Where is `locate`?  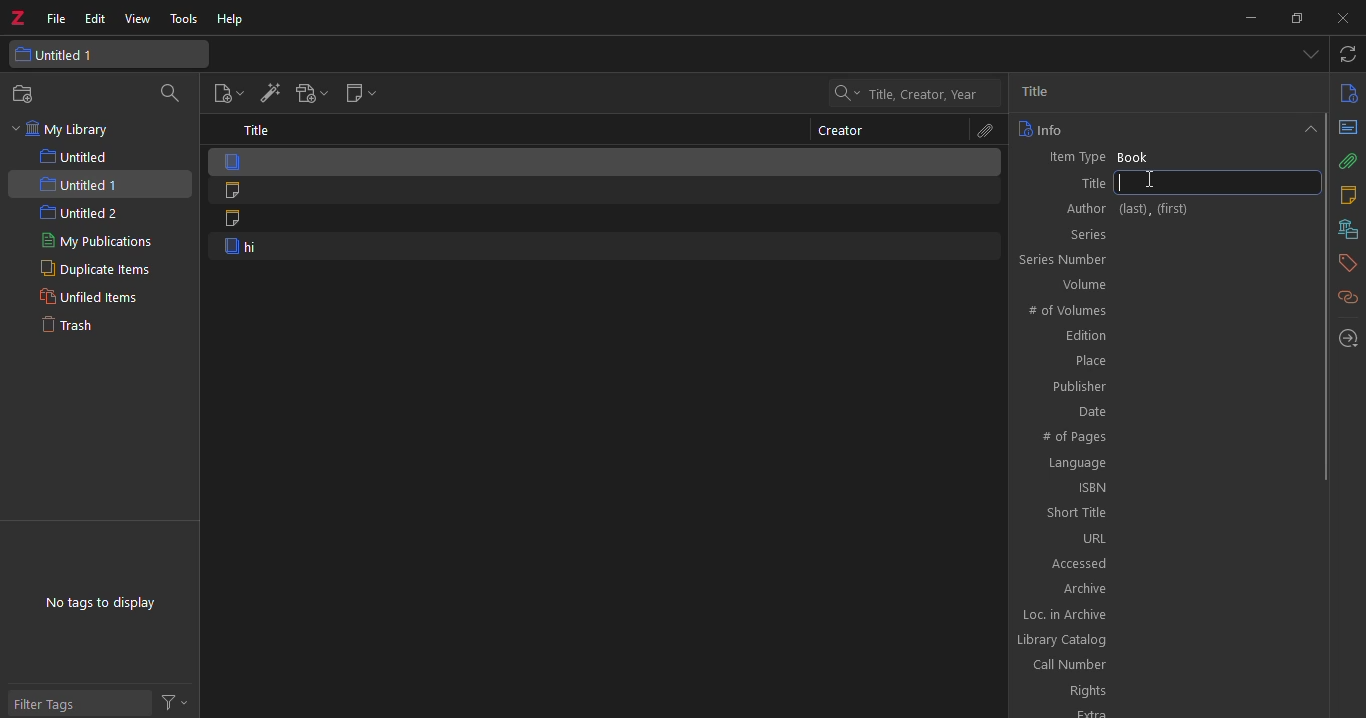
locate is located at coordinates (1349, 338).